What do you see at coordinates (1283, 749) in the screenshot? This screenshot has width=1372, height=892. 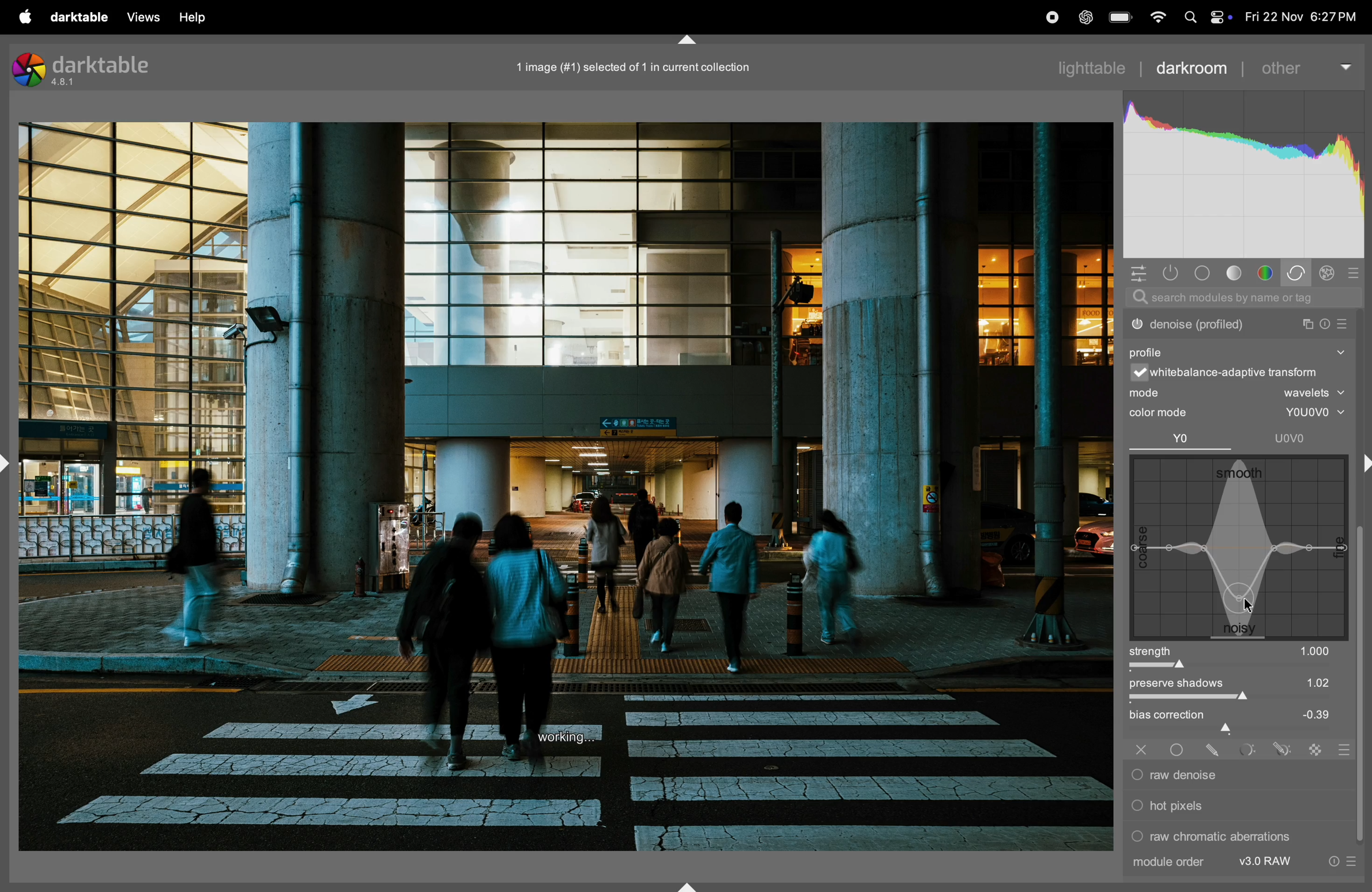 I see `drawn & parametric mask` at bounding box center [1283, 749].